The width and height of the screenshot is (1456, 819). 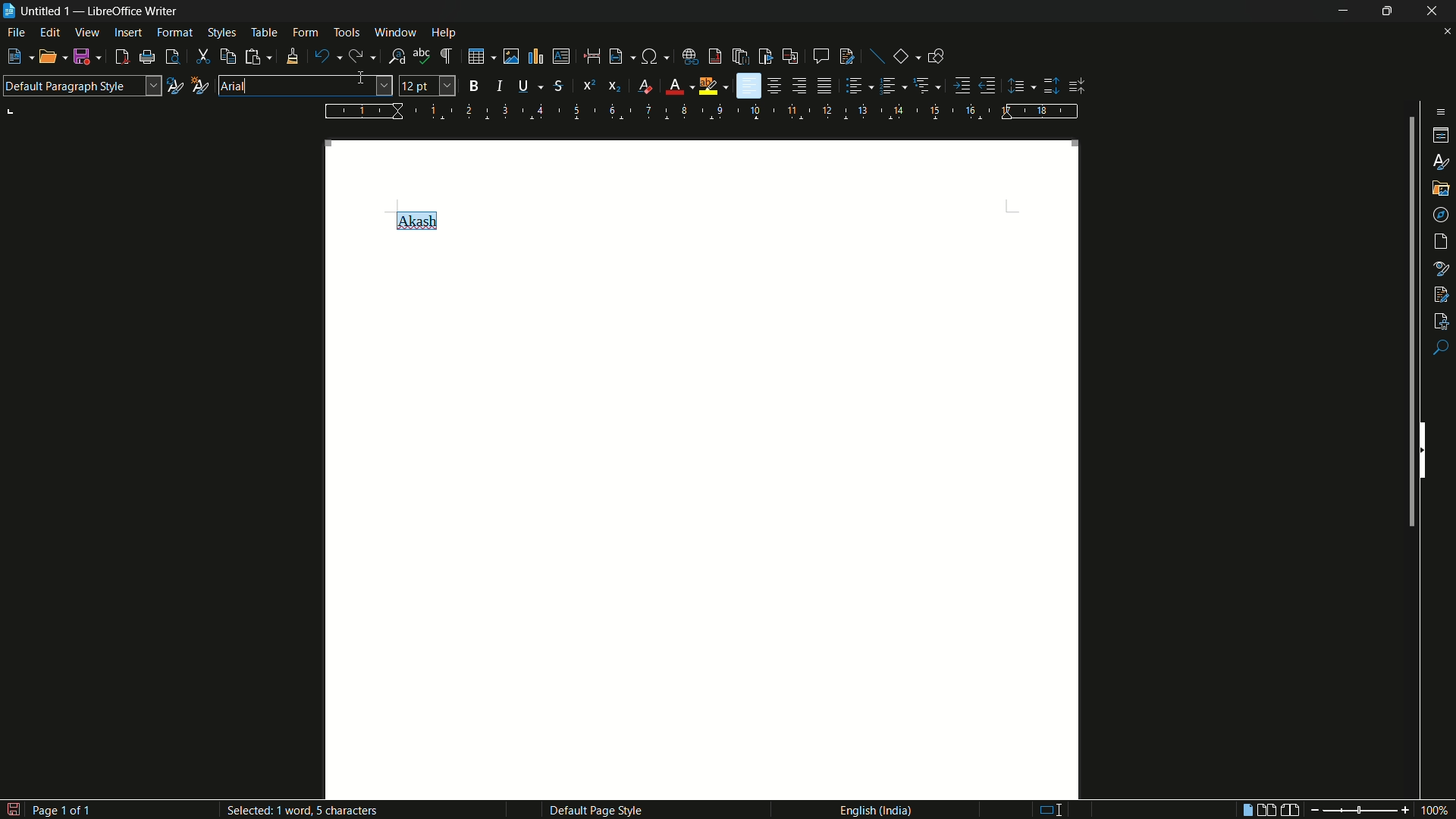 I want to click on view menu, so click(x=87, y=33).